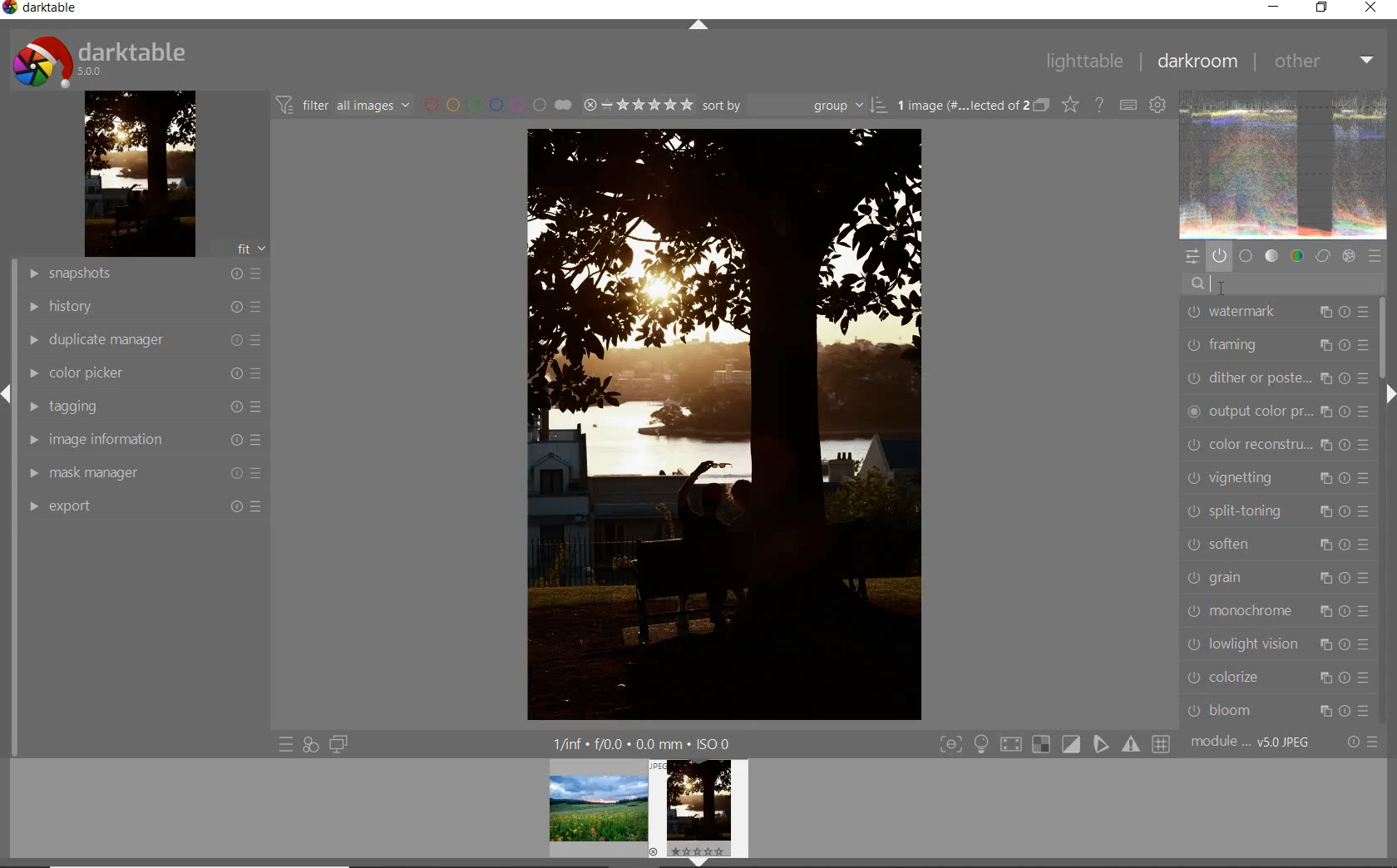 The height and width of the screenshot is (868, 1397). Describe the element at coordinates (1322, 256) in the screenshot. I see `correct` at that location.